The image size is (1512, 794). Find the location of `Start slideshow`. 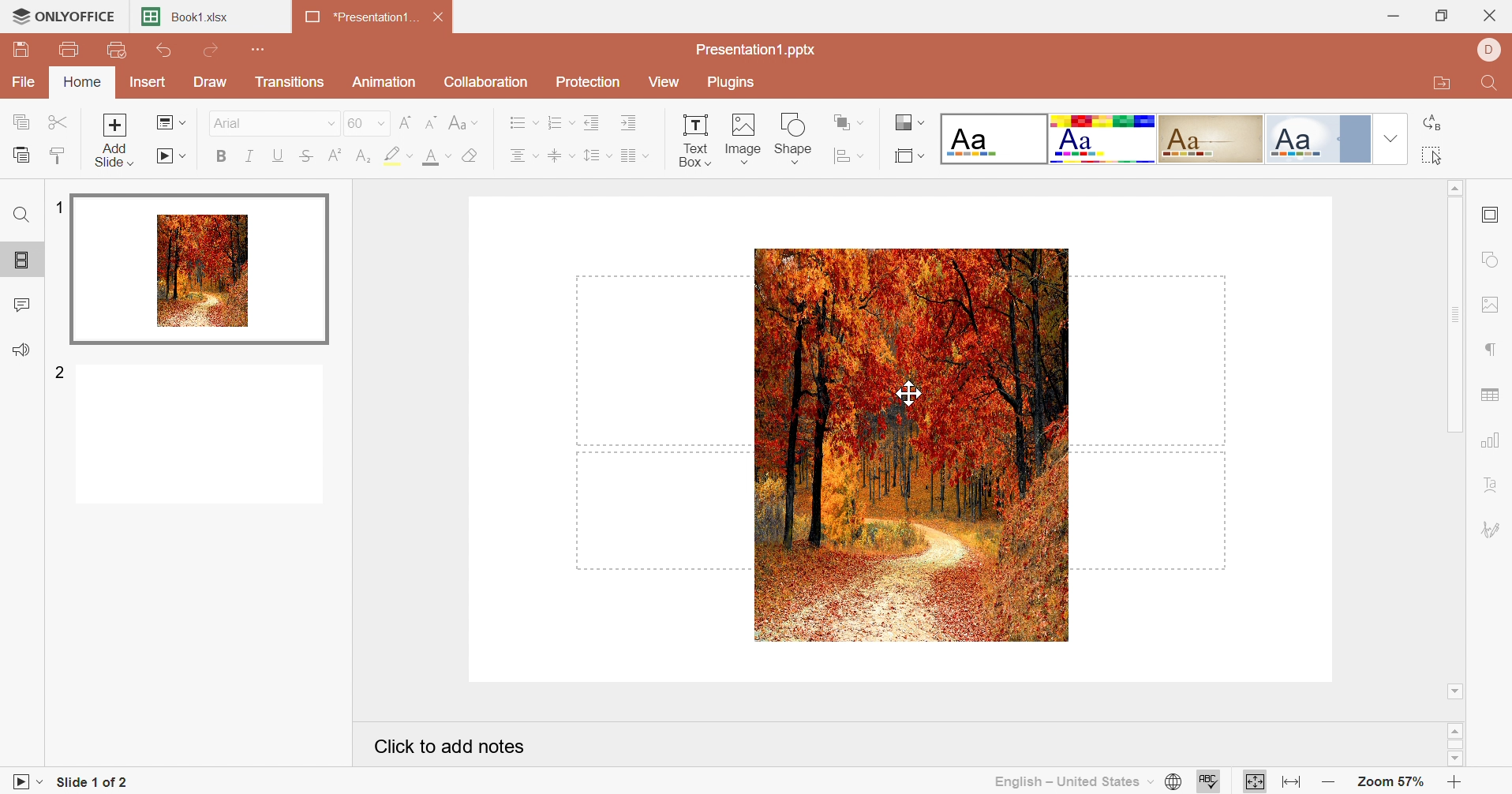

Start slideshow is located at coordinates (23, 780).